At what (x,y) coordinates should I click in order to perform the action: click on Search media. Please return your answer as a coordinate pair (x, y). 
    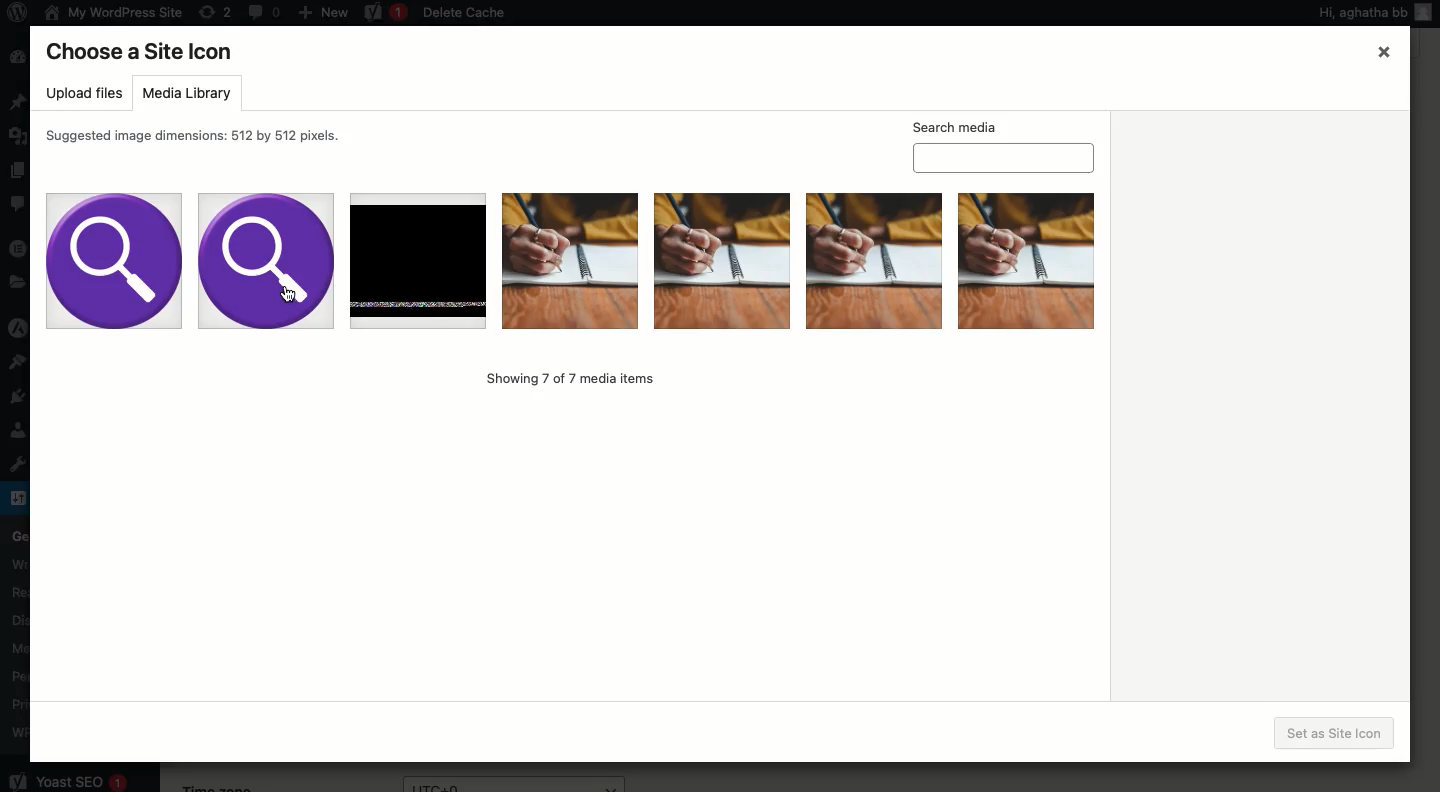
    Looking at the image, I should click on (1003, 145).